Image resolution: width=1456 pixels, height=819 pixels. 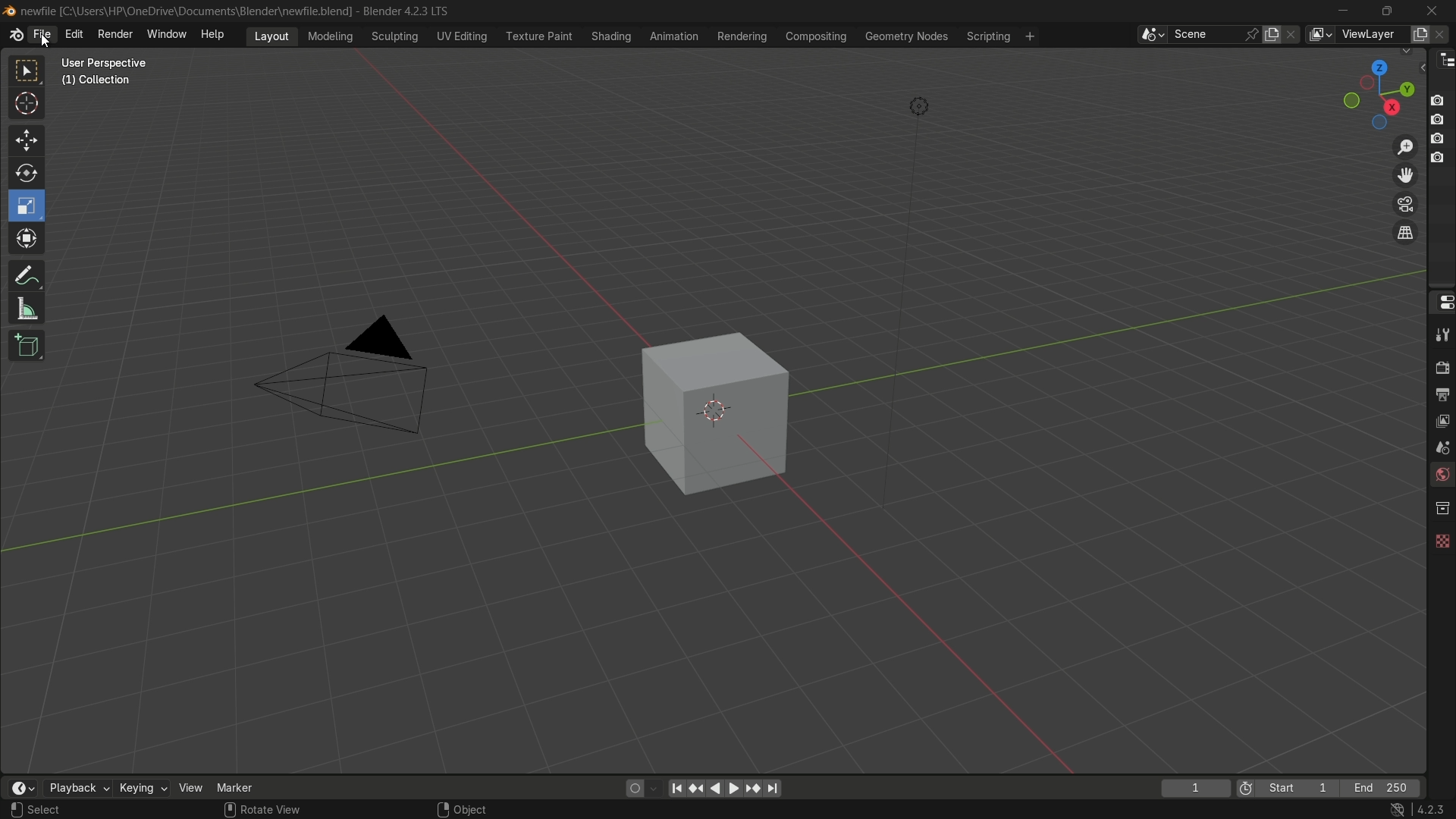 What do you see at coordinates (45, 40) in the screenshot?
I see `Cursor` at bounding box center [45, 40].